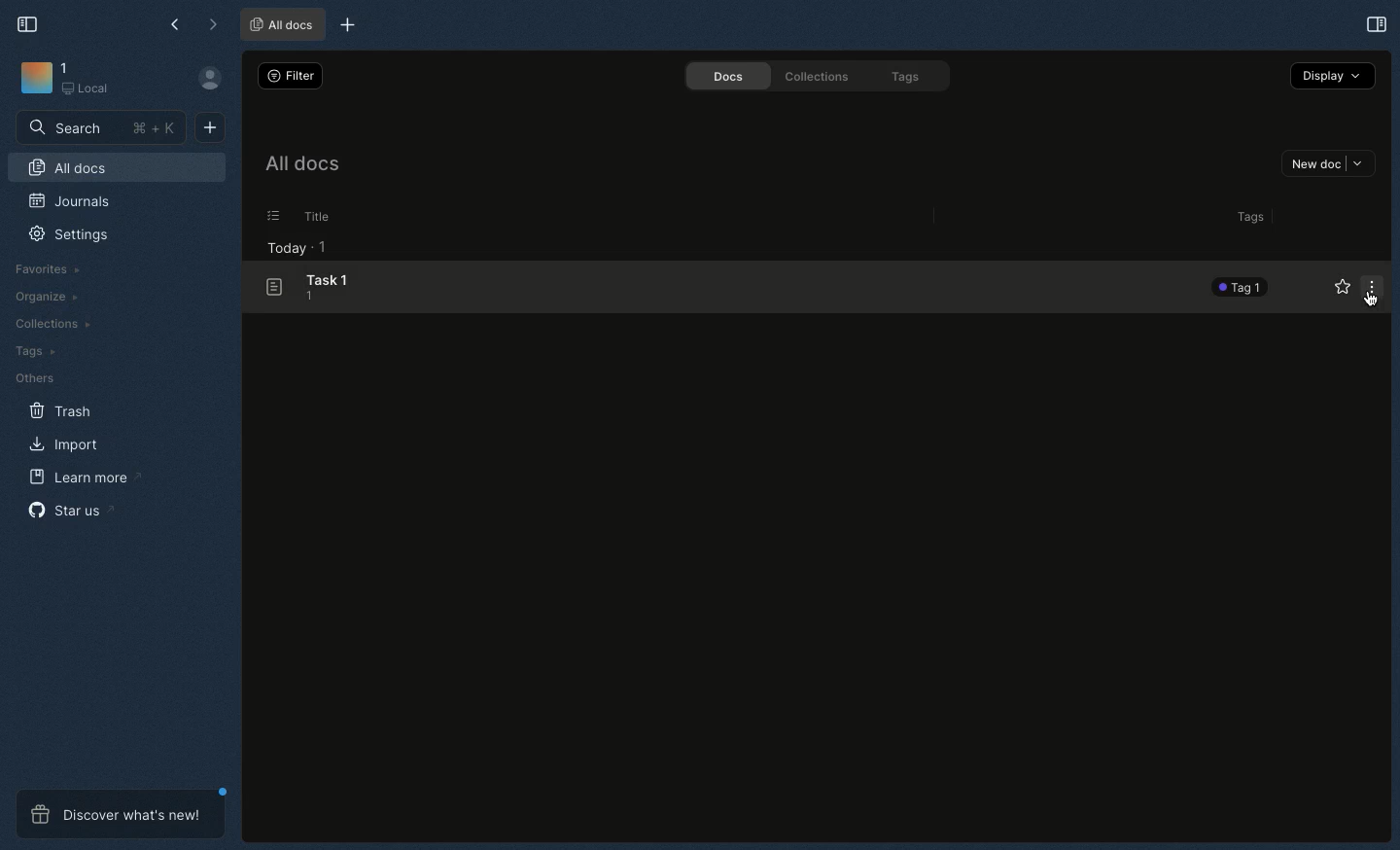 The width and height of the screenshot is (1400, 850). I want to click on Tags, so click(903, 77).